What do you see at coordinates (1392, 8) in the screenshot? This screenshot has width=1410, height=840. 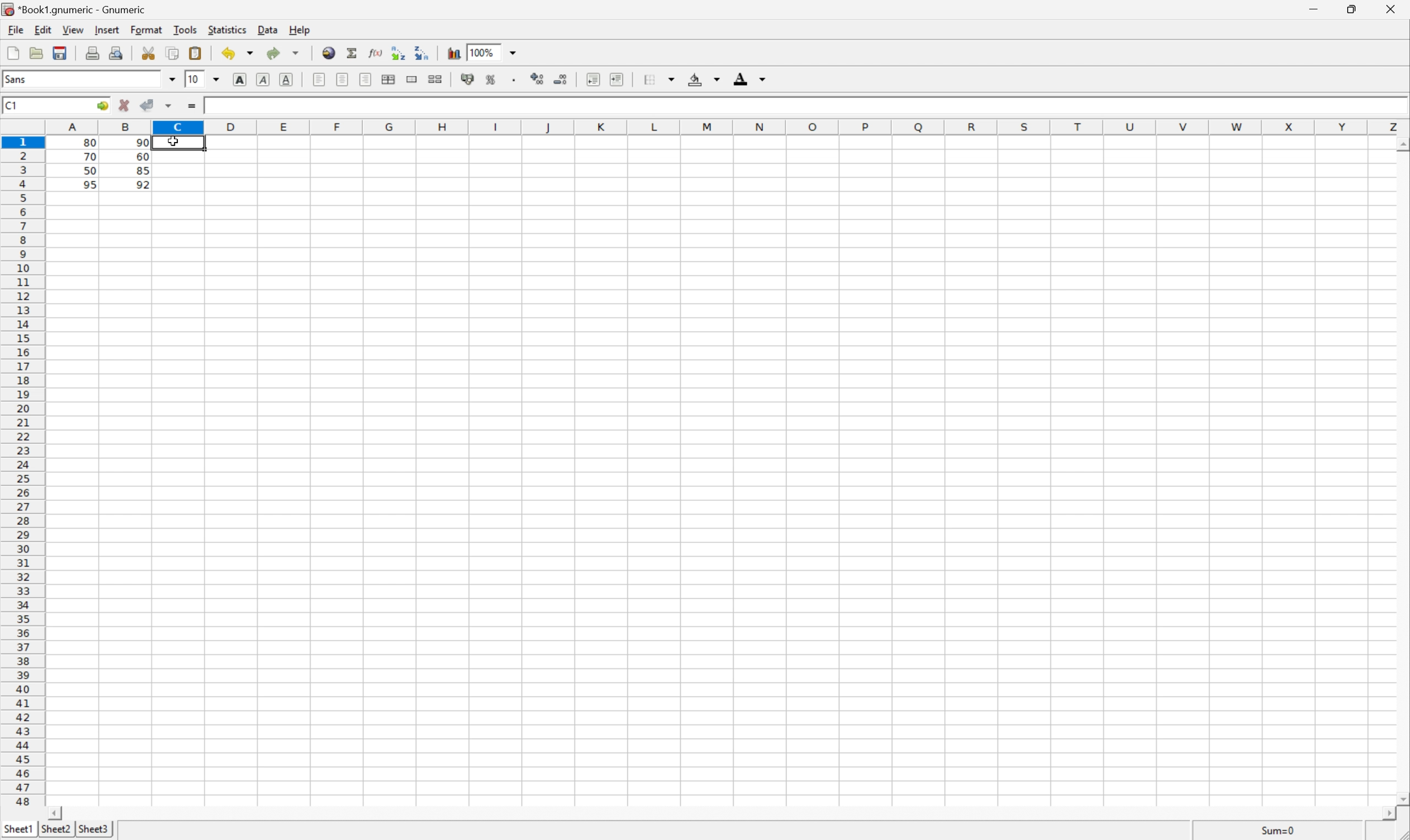 I see `Close` at bounding box center [1392, 8].